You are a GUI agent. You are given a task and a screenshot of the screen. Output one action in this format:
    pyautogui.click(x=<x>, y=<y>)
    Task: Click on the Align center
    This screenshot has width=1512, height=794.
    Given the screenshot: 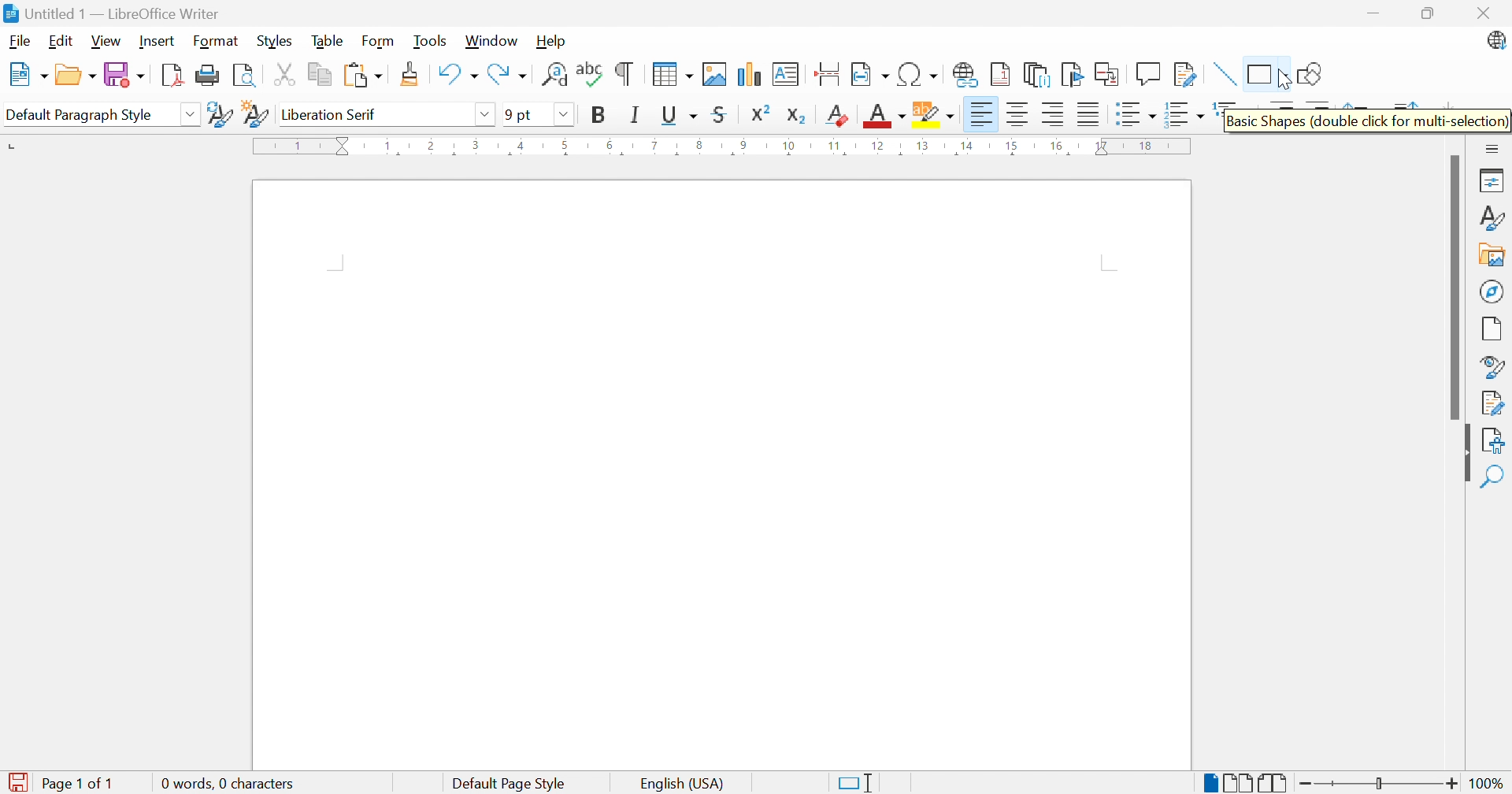 What is the action you would take?
    pyautogui.click(x=1021, y=114)
    